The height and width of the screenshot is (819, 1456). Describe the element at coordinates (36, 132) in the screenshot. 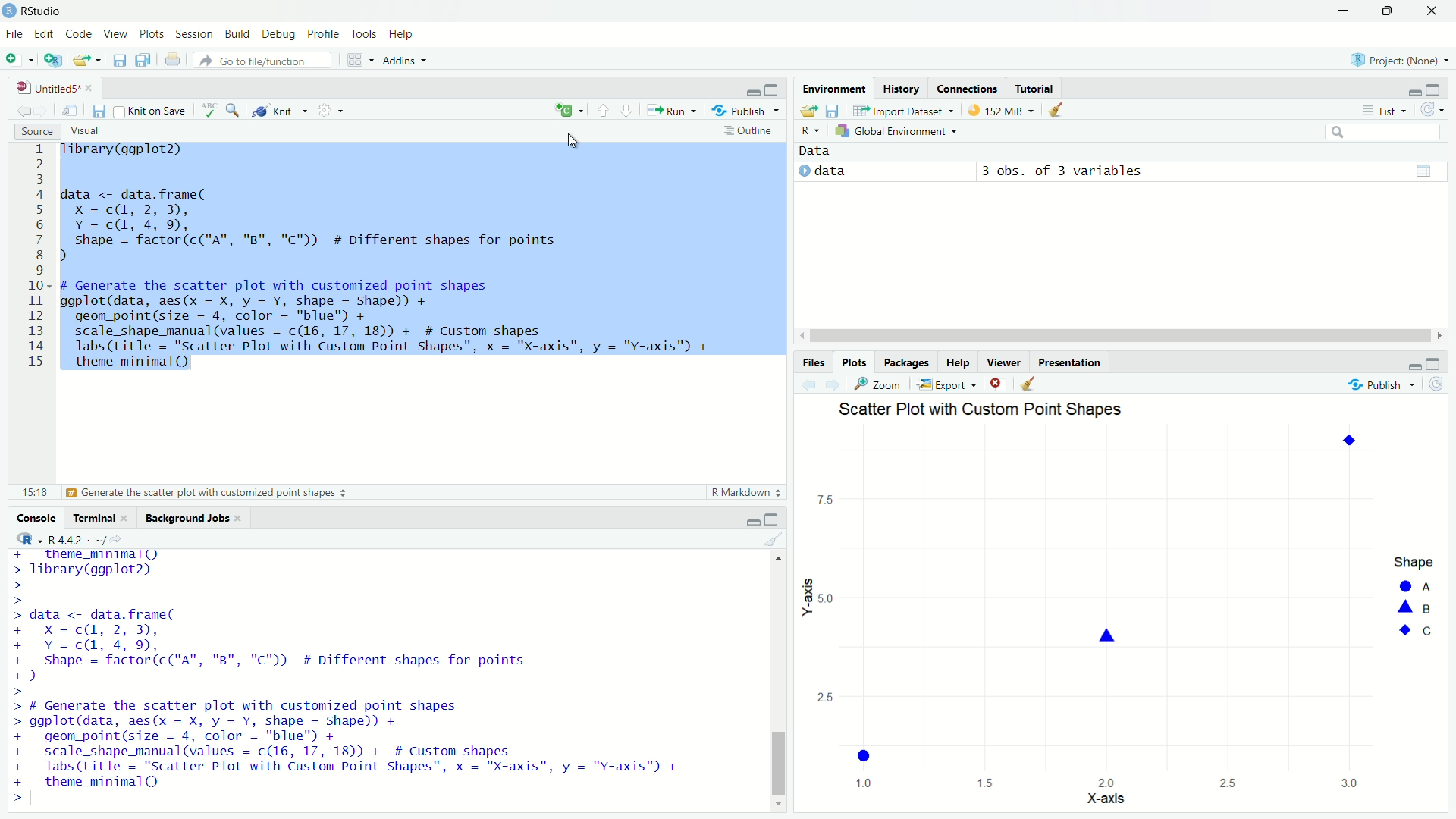

I see `Source` at that location.